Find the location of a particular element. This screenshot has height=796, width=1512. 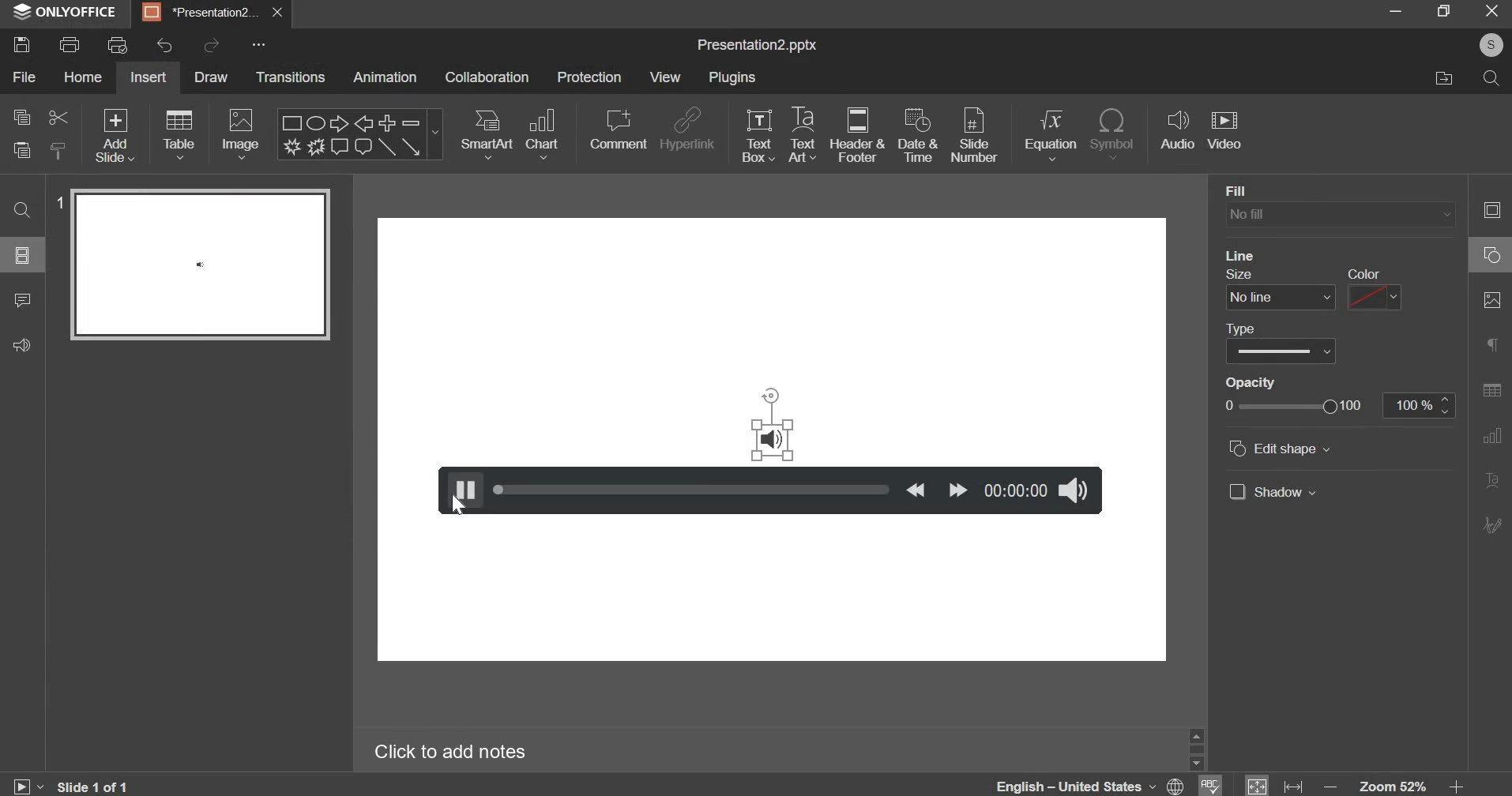

fit to width is located at coordinates (1292, 784).